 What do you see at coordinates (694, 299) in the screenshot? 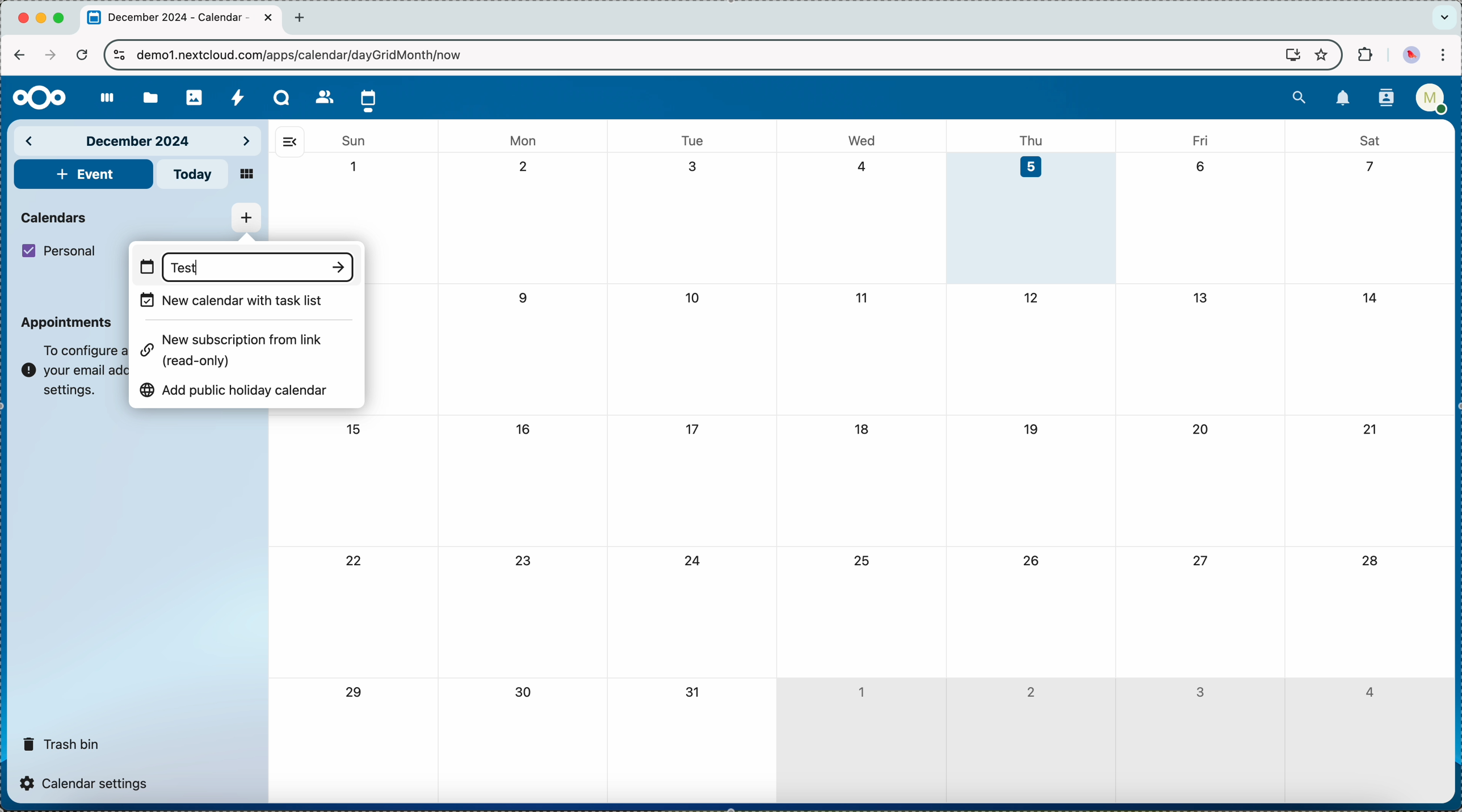
I see `10` at bounding box center [694, 299].